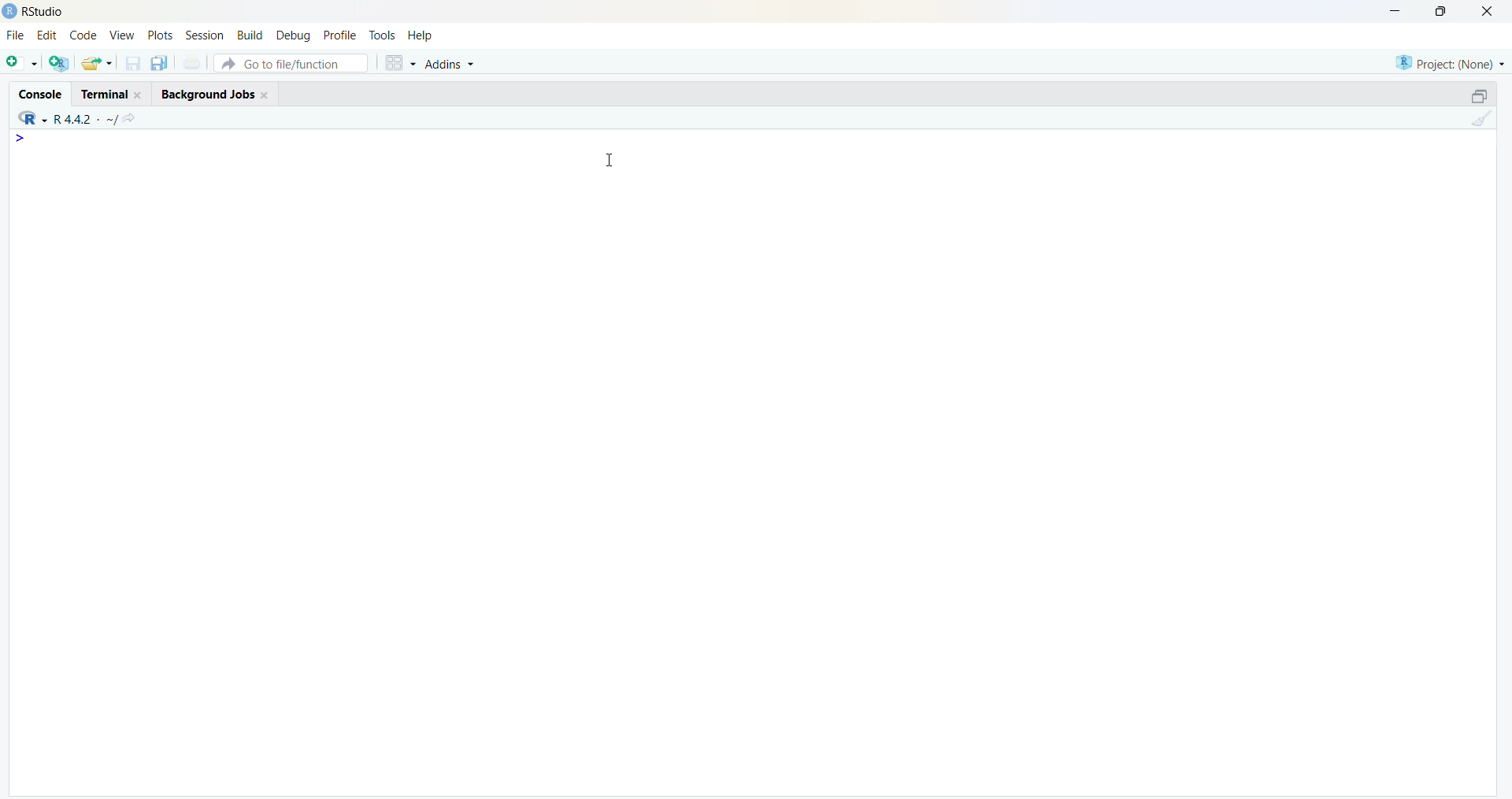  Describe the element at coordinates (252, 36) in the screenshot. I see `Build ` at that location.